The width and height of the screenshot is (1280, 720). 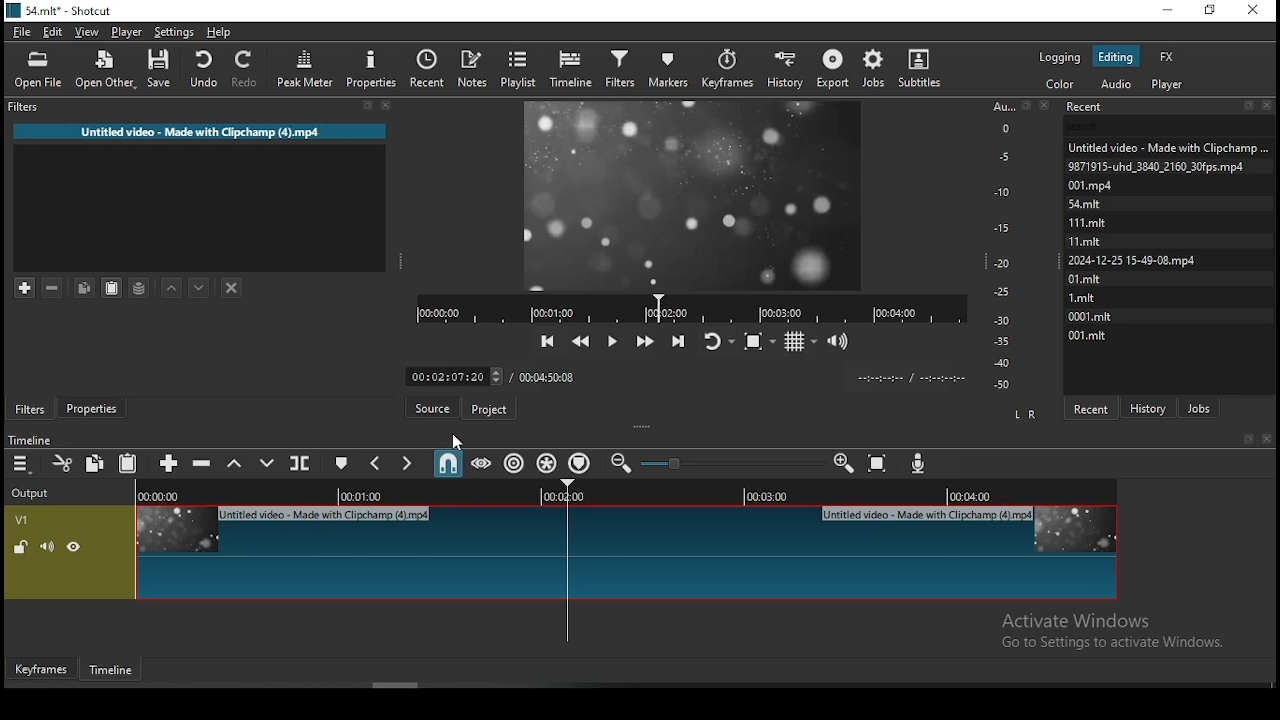 What do you see at coordinates (395, 686) in the screenshot?
I see `Scroll bar` at bounding box center [395, 686].